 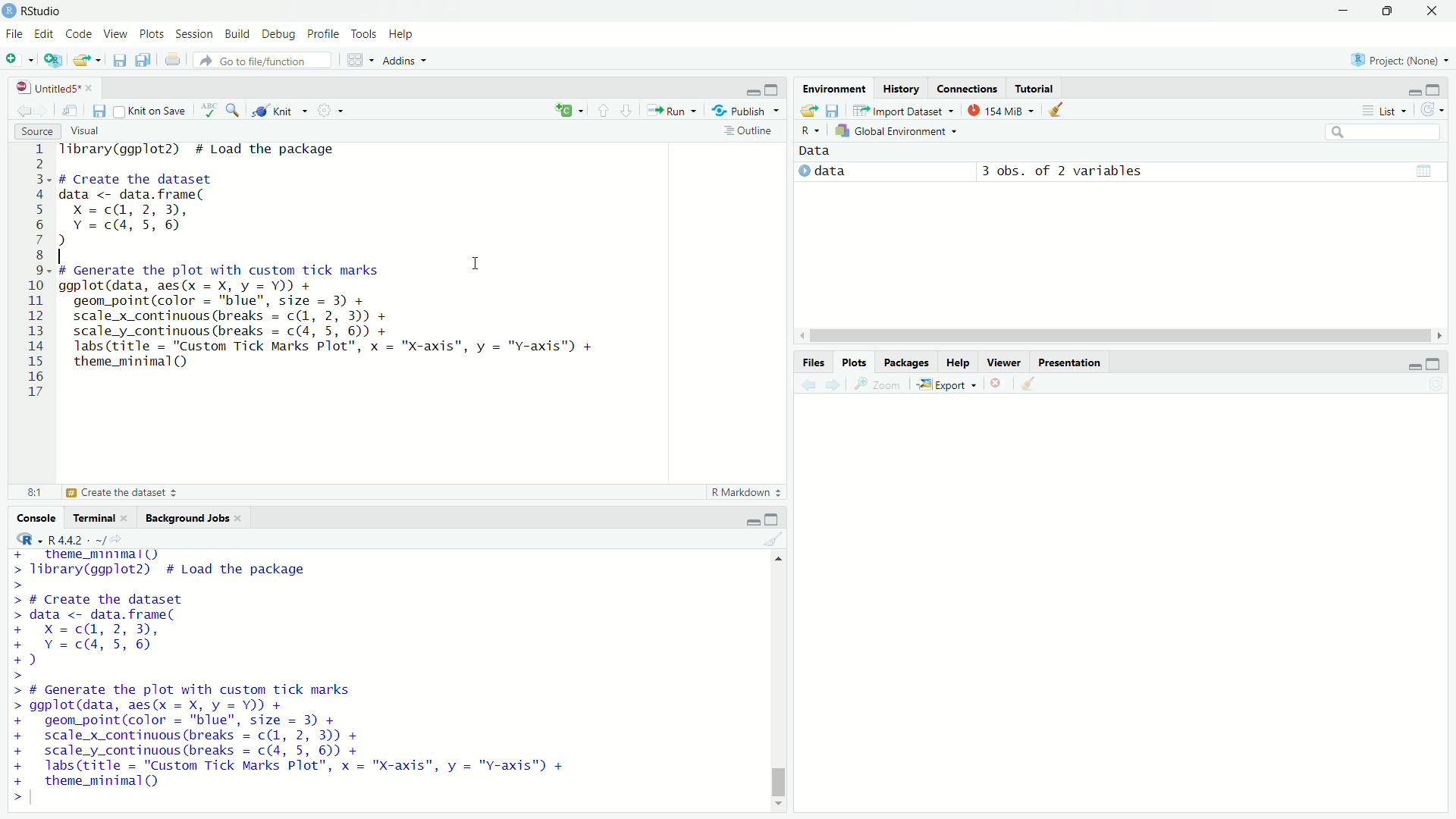 I want to click on go to file/function, so click(x=262, y=60).